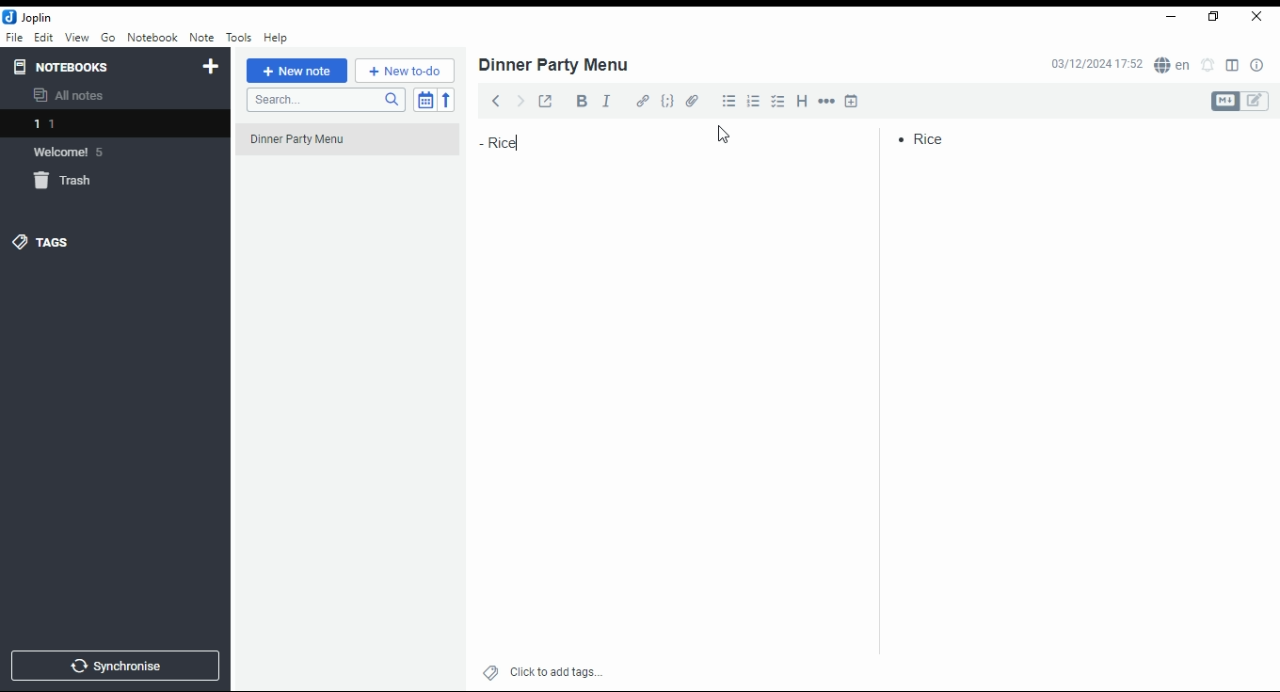 The width and height of the screenshot is (1280, 692). Describe the element at coordinates (1208, 65) in the screenshot. I see `set alarm` at that location.